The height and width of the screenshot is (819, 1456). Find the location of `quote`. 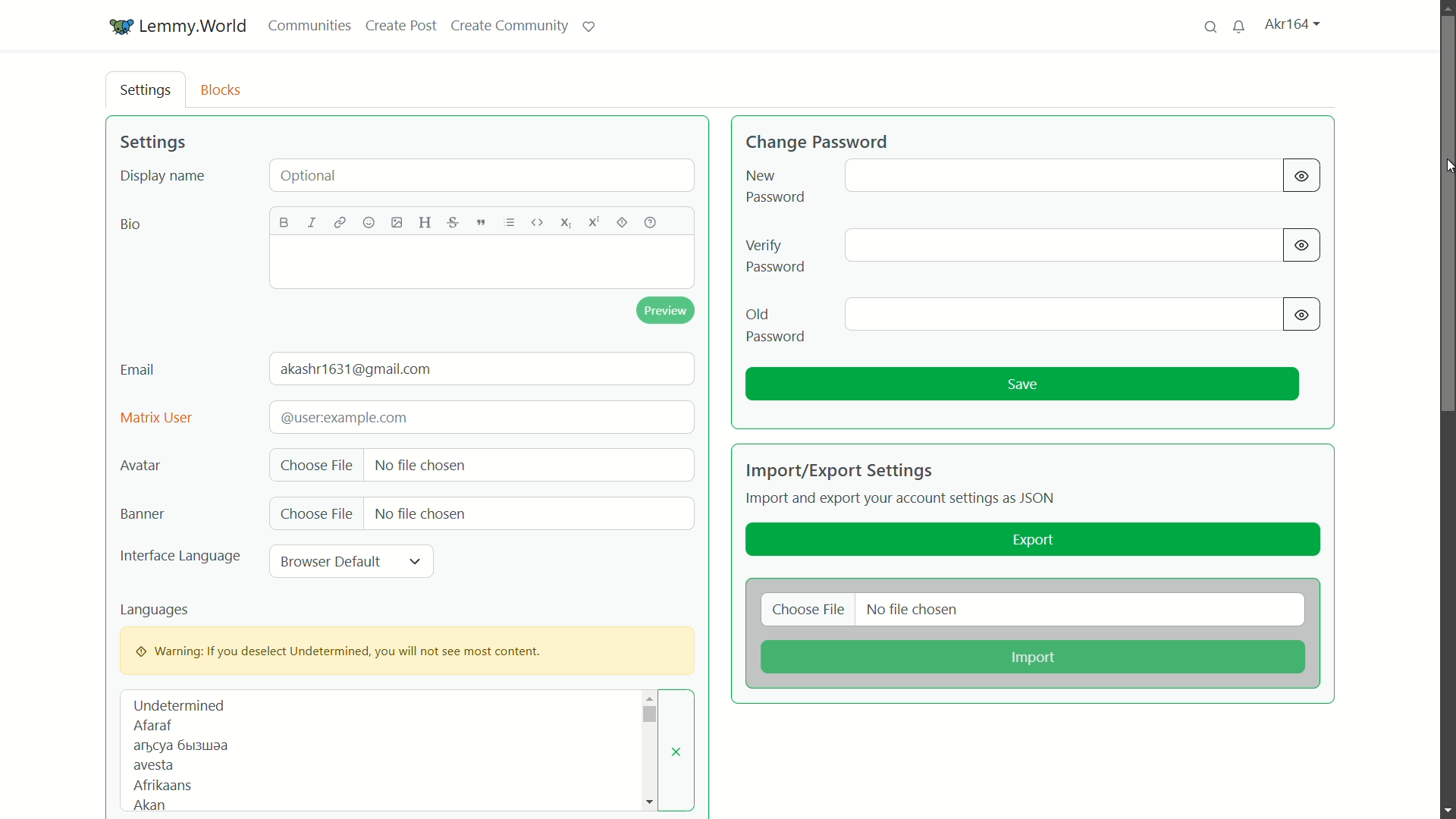

quote is located at coordinates (480, 223).